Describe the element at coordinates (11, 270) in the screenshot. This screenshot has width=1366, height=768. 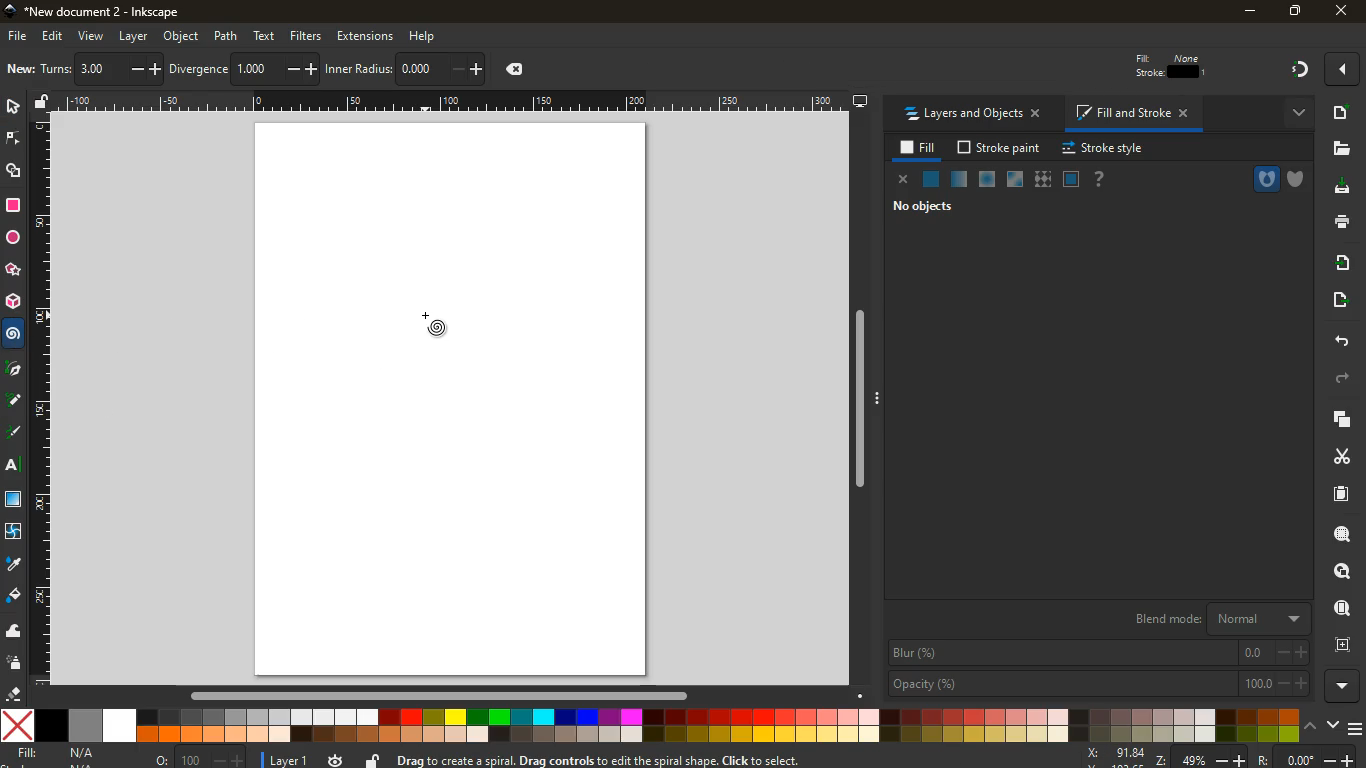
I see `star` at that location.